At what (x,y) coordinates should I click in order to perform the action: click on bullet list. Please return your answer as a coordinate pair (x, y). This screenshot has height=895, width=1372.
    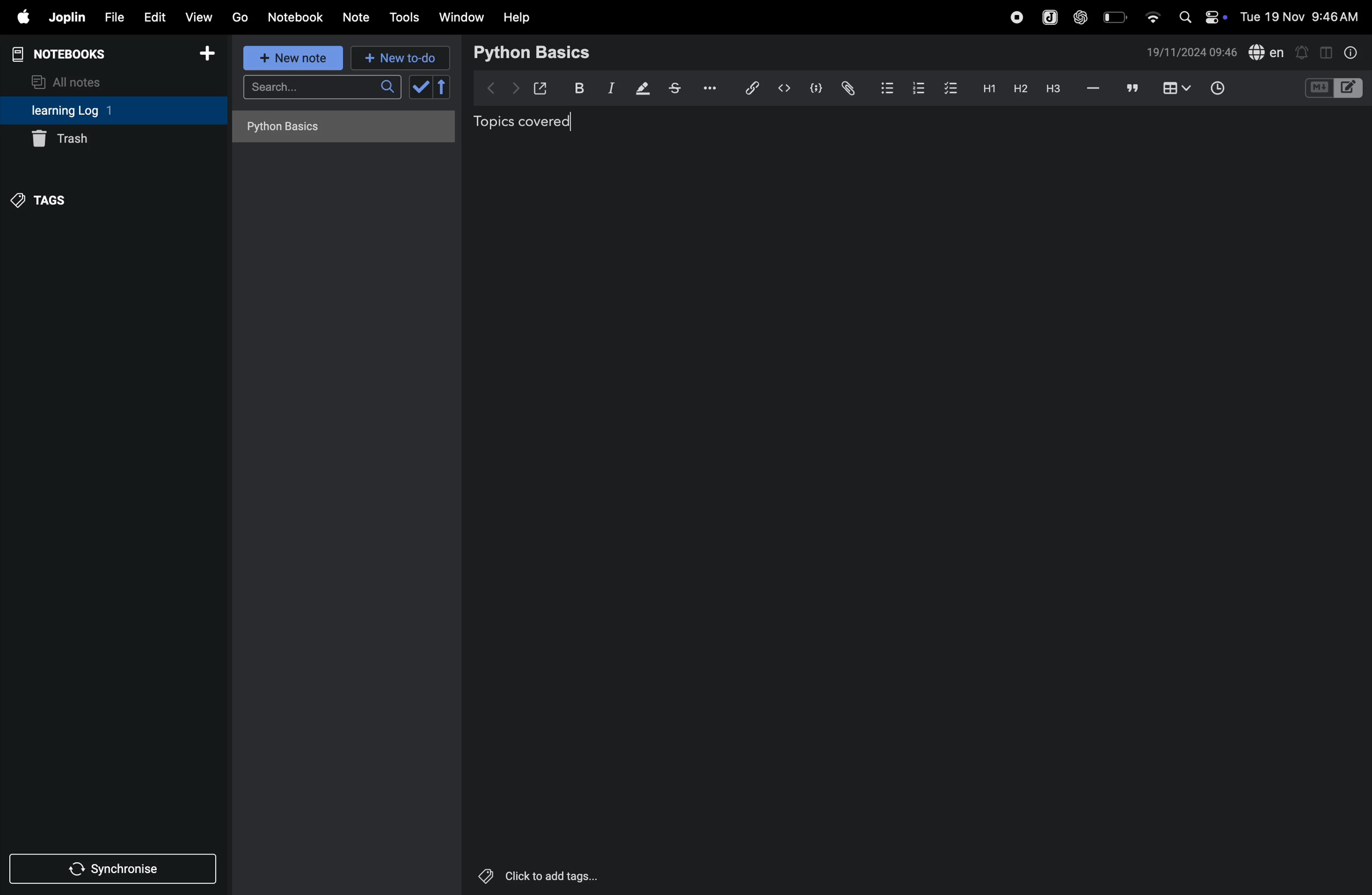
    Looking at the image, I should click on (885, 87).